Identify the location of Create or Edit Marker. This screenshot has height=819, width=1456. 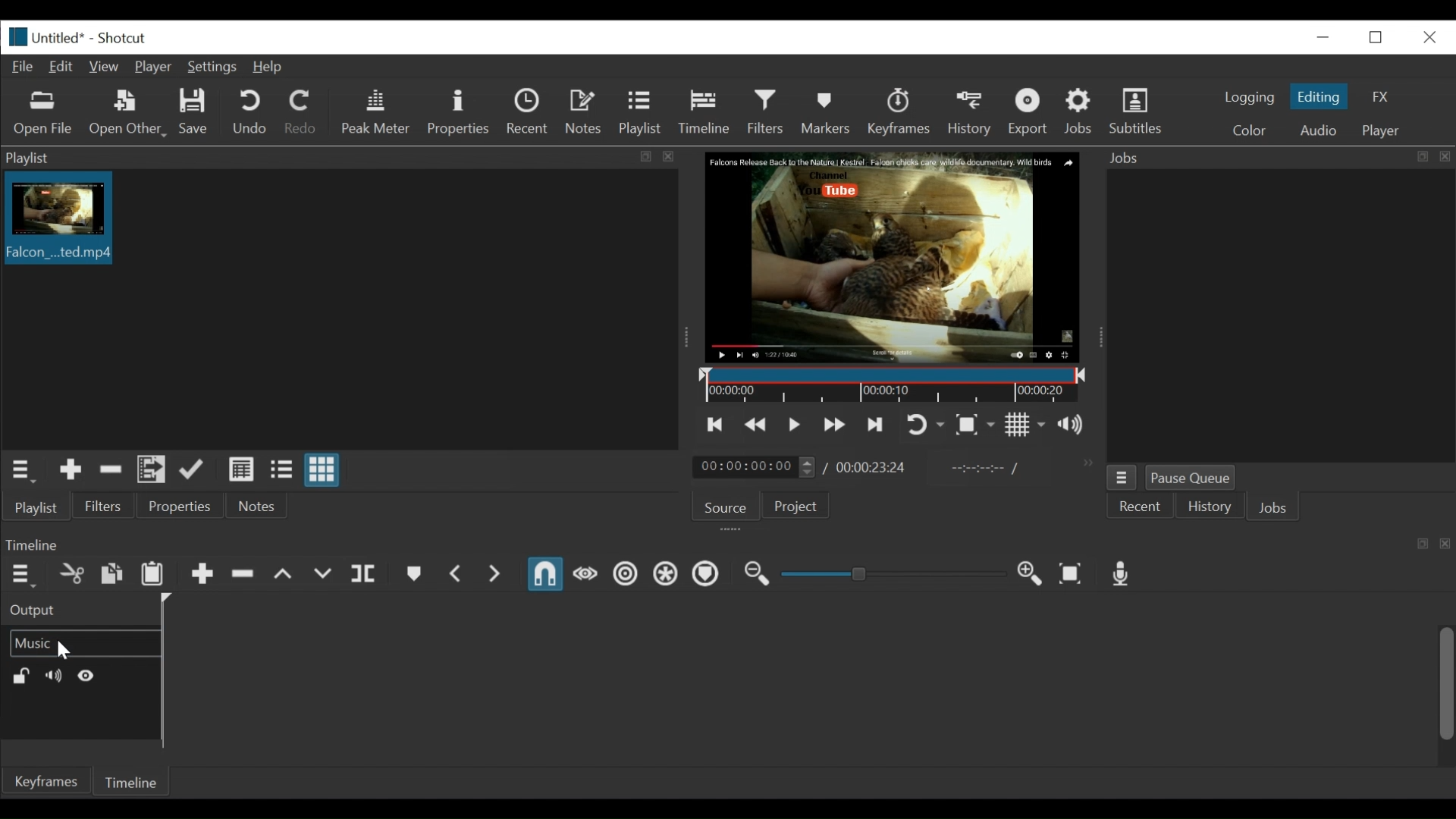
(413, 574).